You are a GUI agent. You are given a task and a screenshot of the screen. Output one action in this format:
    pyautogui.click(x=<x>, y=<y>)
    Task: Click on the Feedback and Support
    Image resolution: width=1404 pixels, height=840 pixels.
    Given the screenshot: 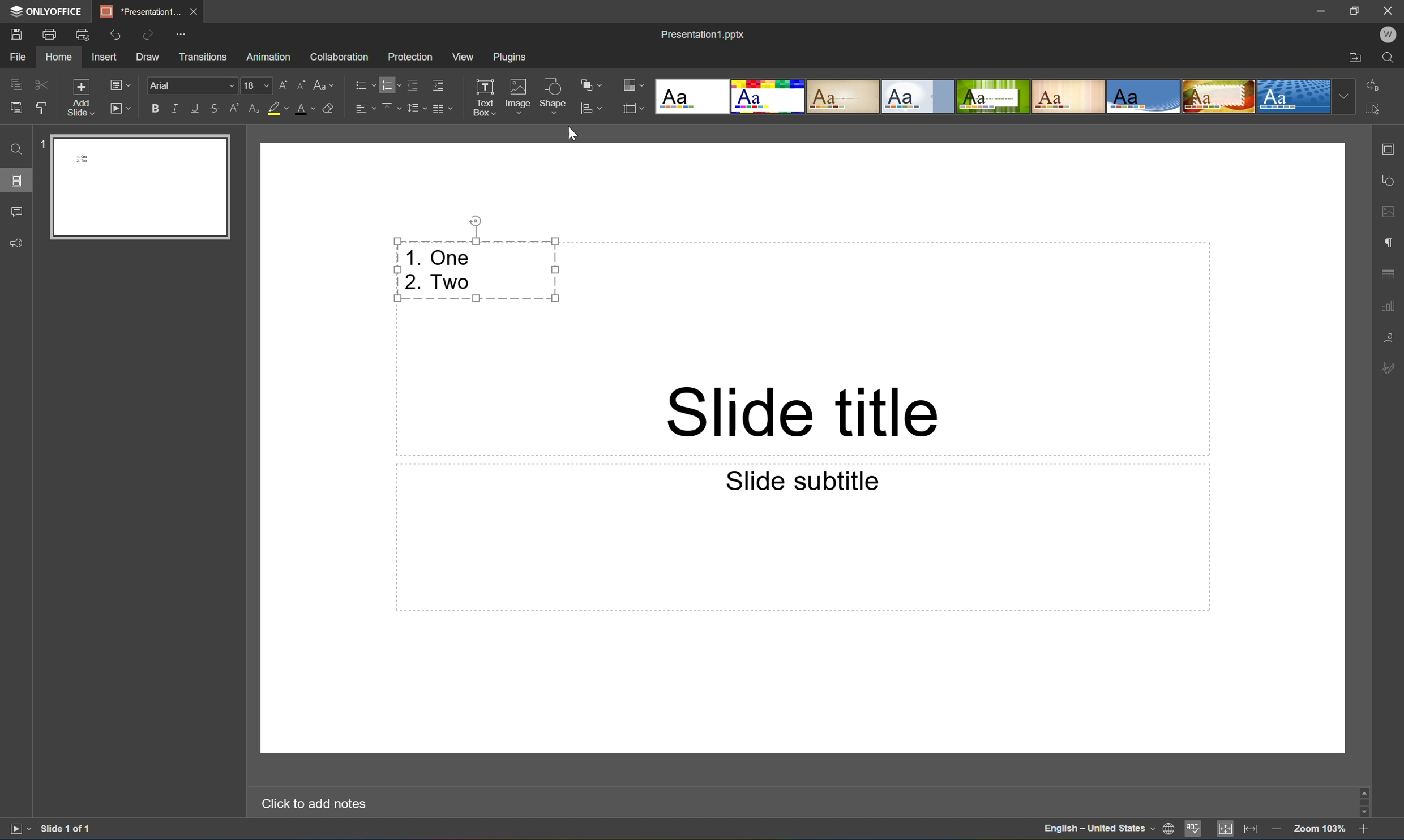 What is the action you would take?
    pyautogui.click(x=19, y=246)
    